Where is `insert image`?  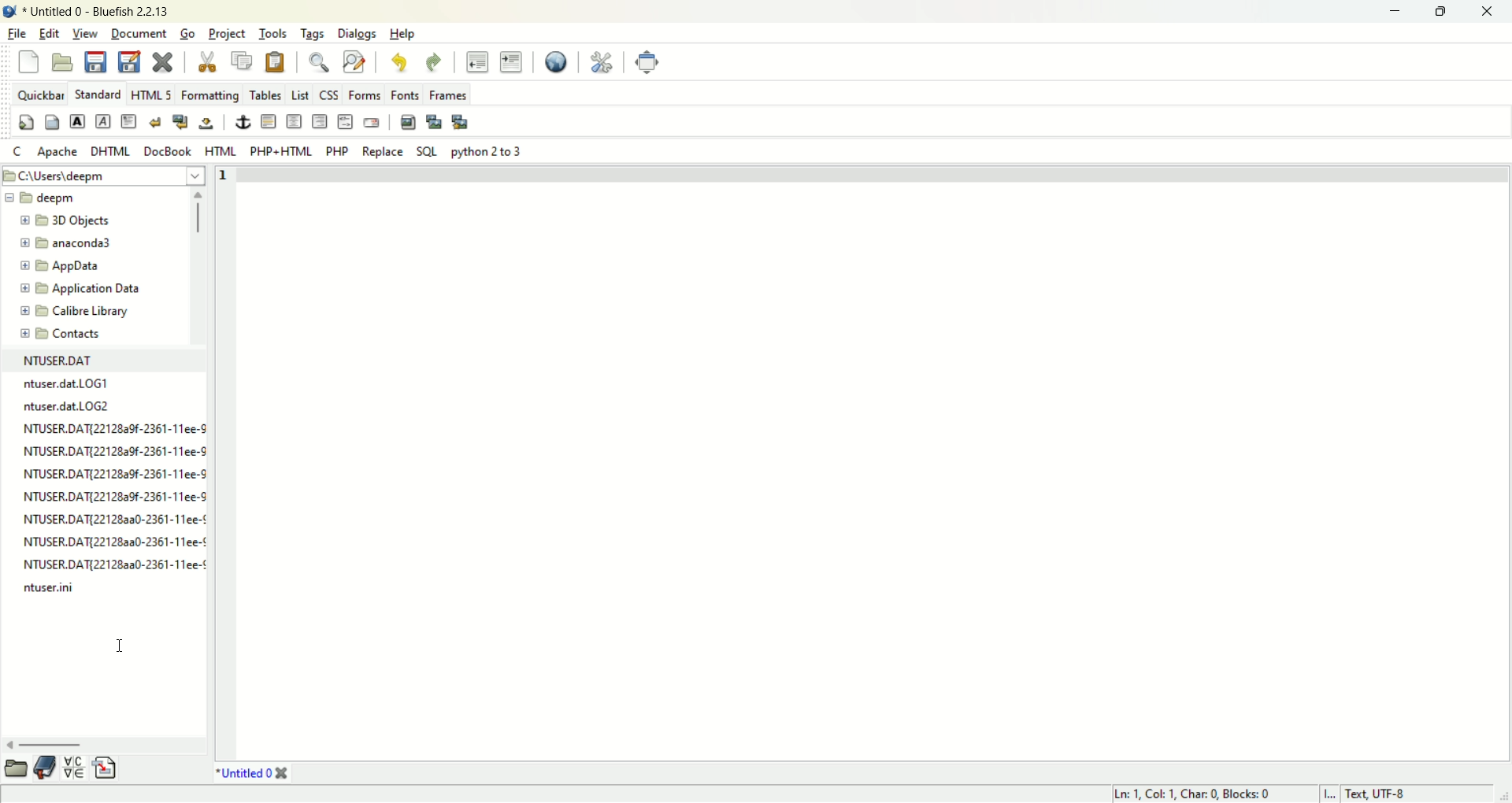 insert image is located at coordinates (408, 124).